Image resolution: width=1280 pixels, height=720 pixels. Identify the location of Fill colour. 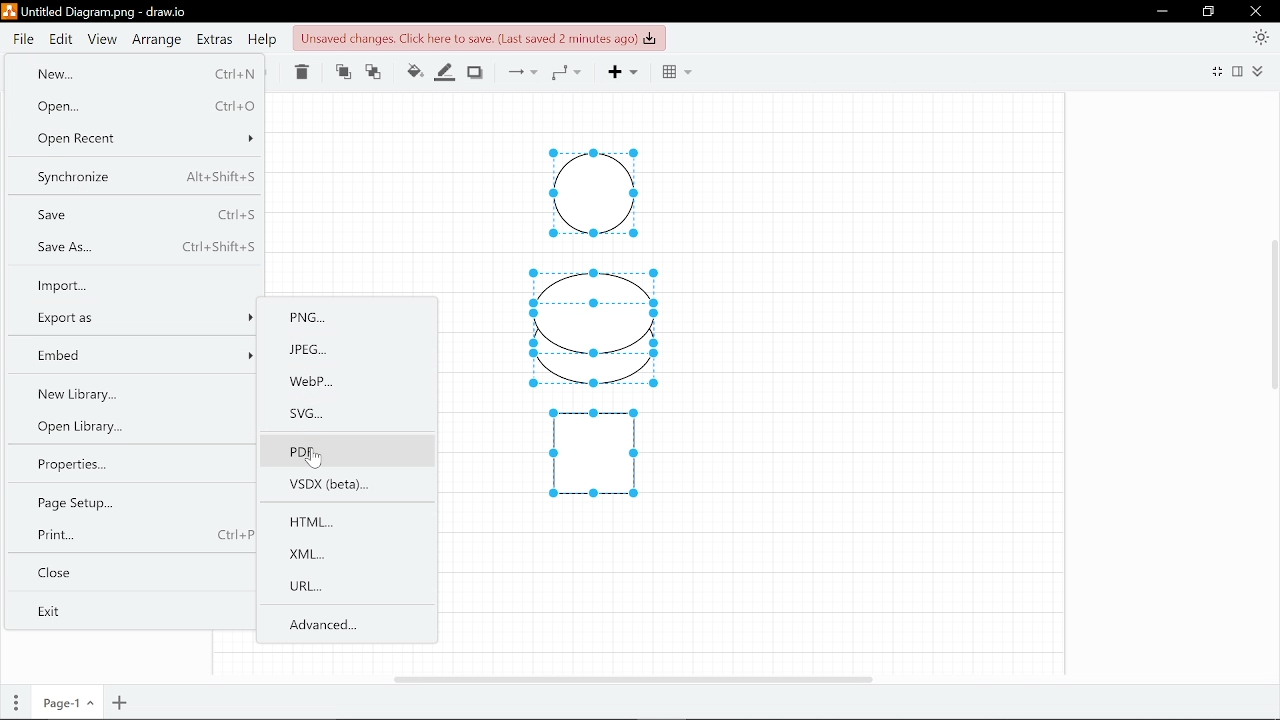
(414, 72).